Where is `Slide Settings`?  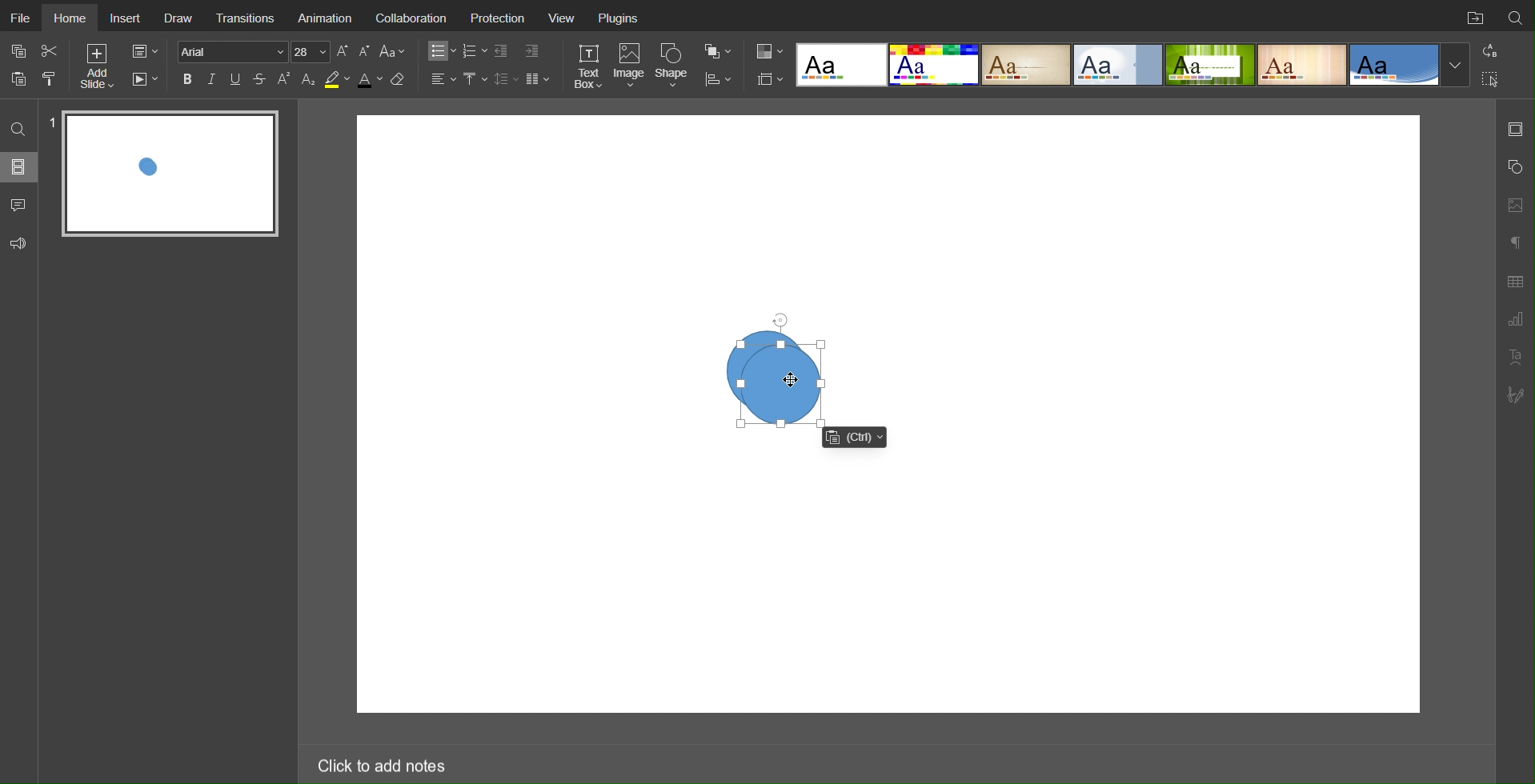 Slide Settings is located at coordinates (767, 79).